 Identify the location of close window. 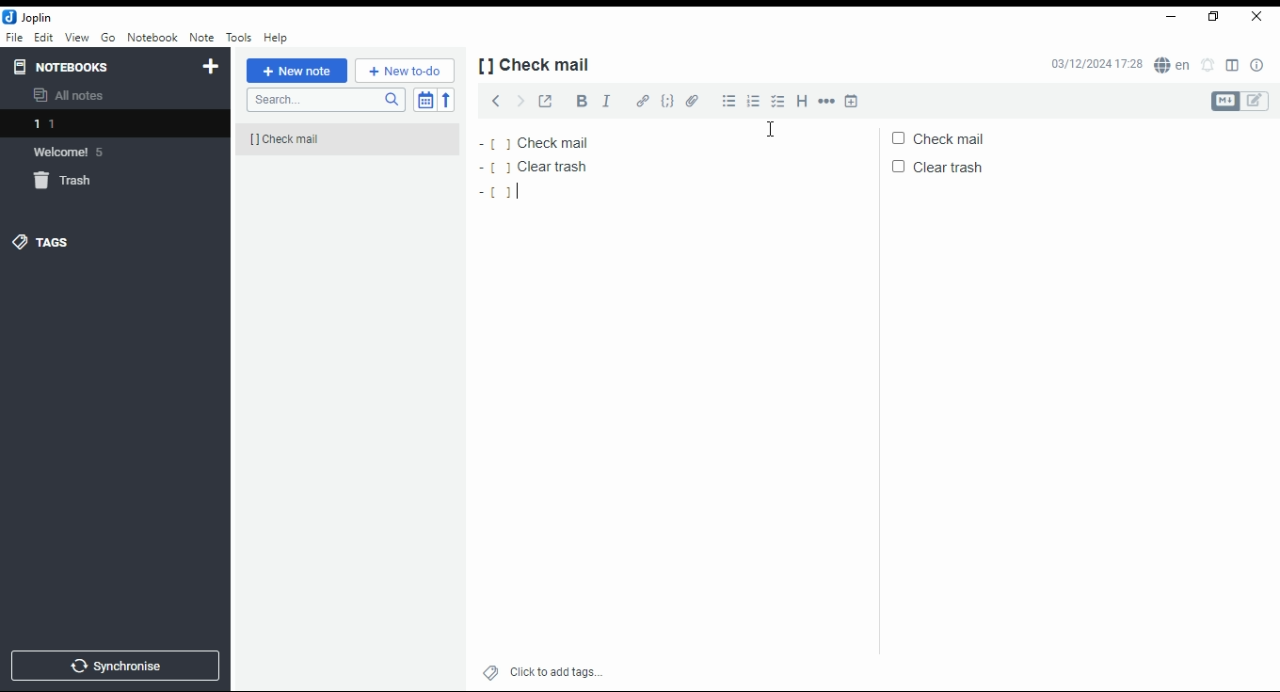
(1257, 18).